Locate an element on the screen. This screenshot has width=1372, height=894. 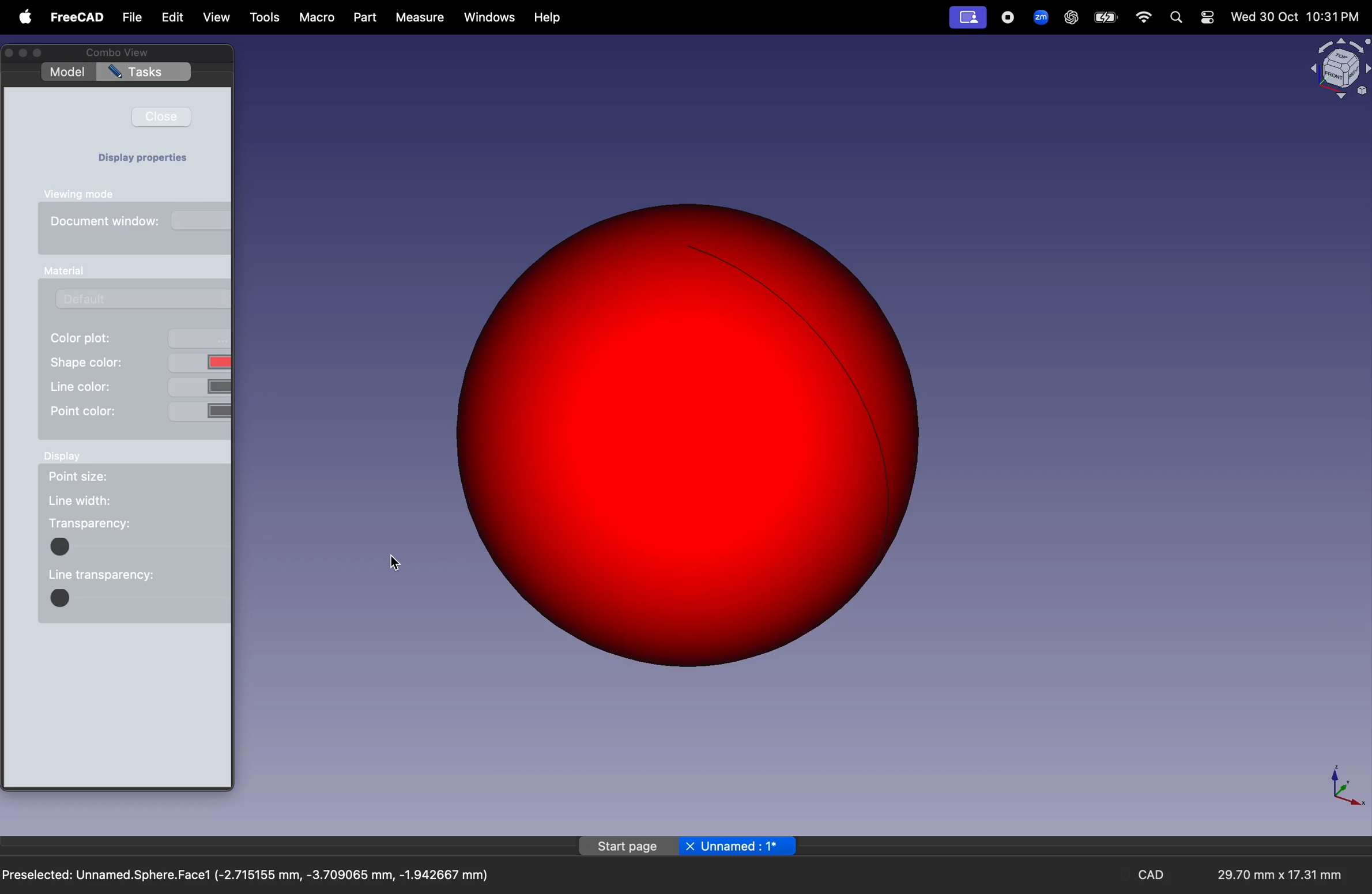
edit is located at coordinates (170, 17).